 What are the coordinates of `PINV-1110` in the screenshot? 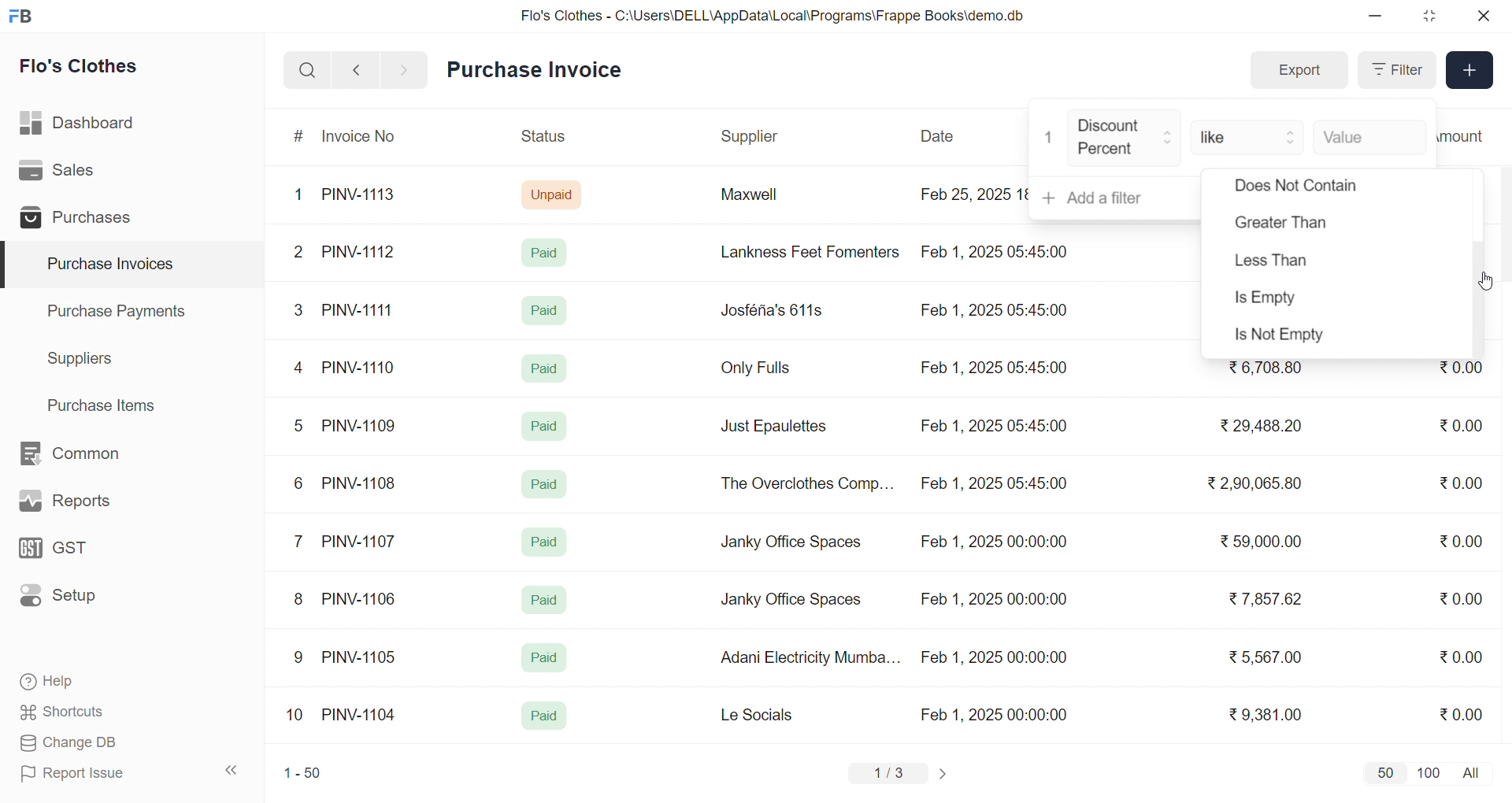 It's located at (360, 367).